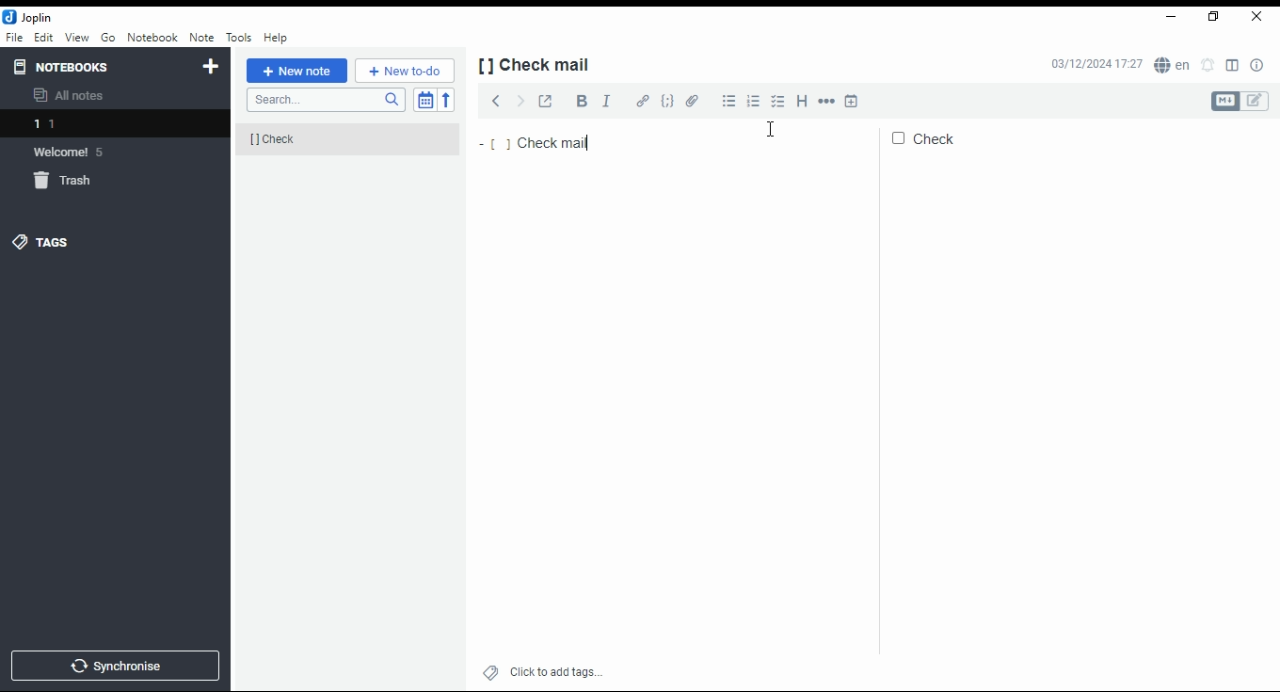 This screenshot has height=692, width=1280. What do you see at coordinates (1239, 102) in the screenshot?
I see `toggle editors` at bounding box center [1239, 102].